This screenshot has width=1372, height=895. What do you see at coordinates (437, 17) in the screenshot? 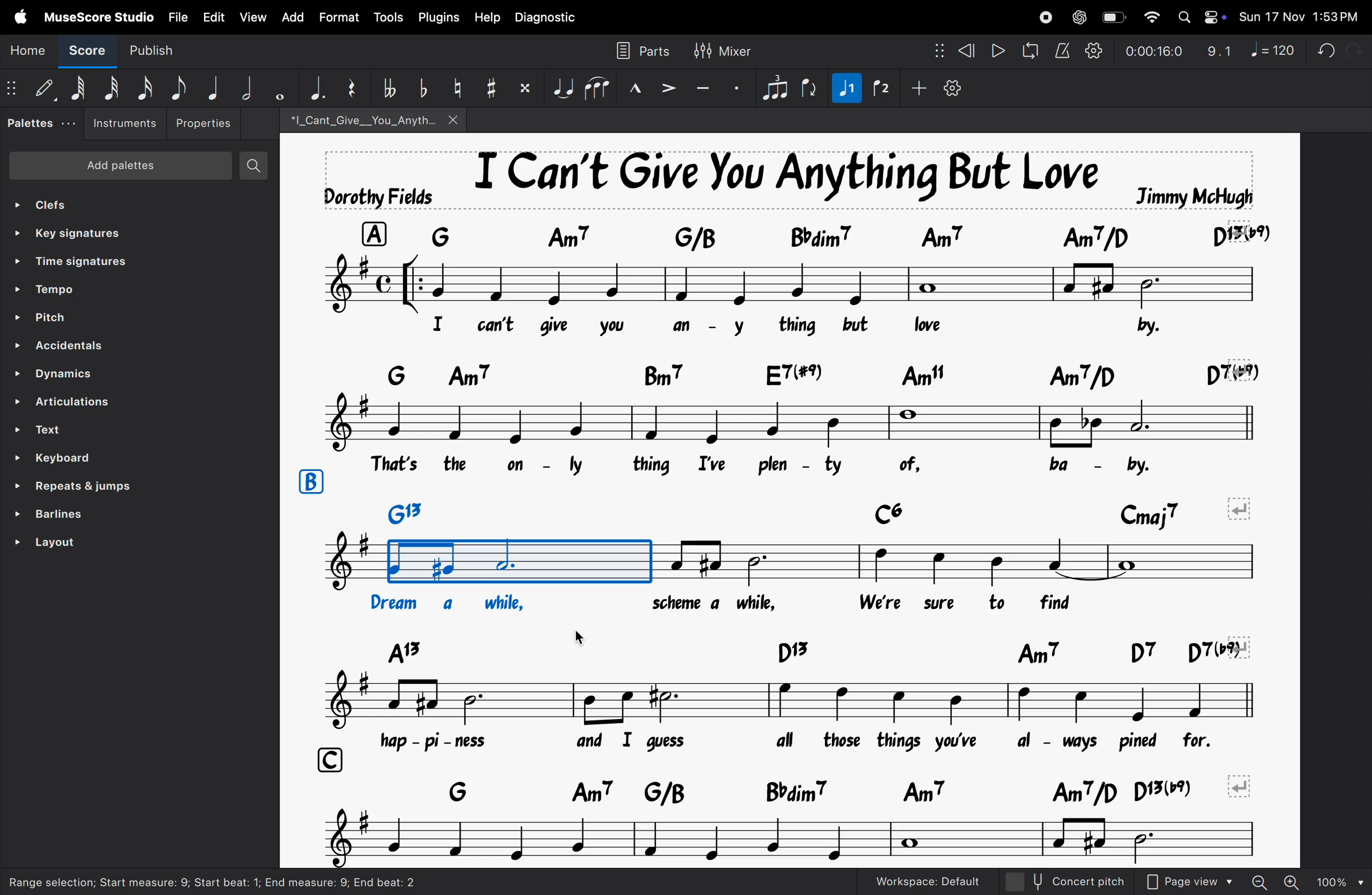
I see `plugins` at bounding box center [437, 17].